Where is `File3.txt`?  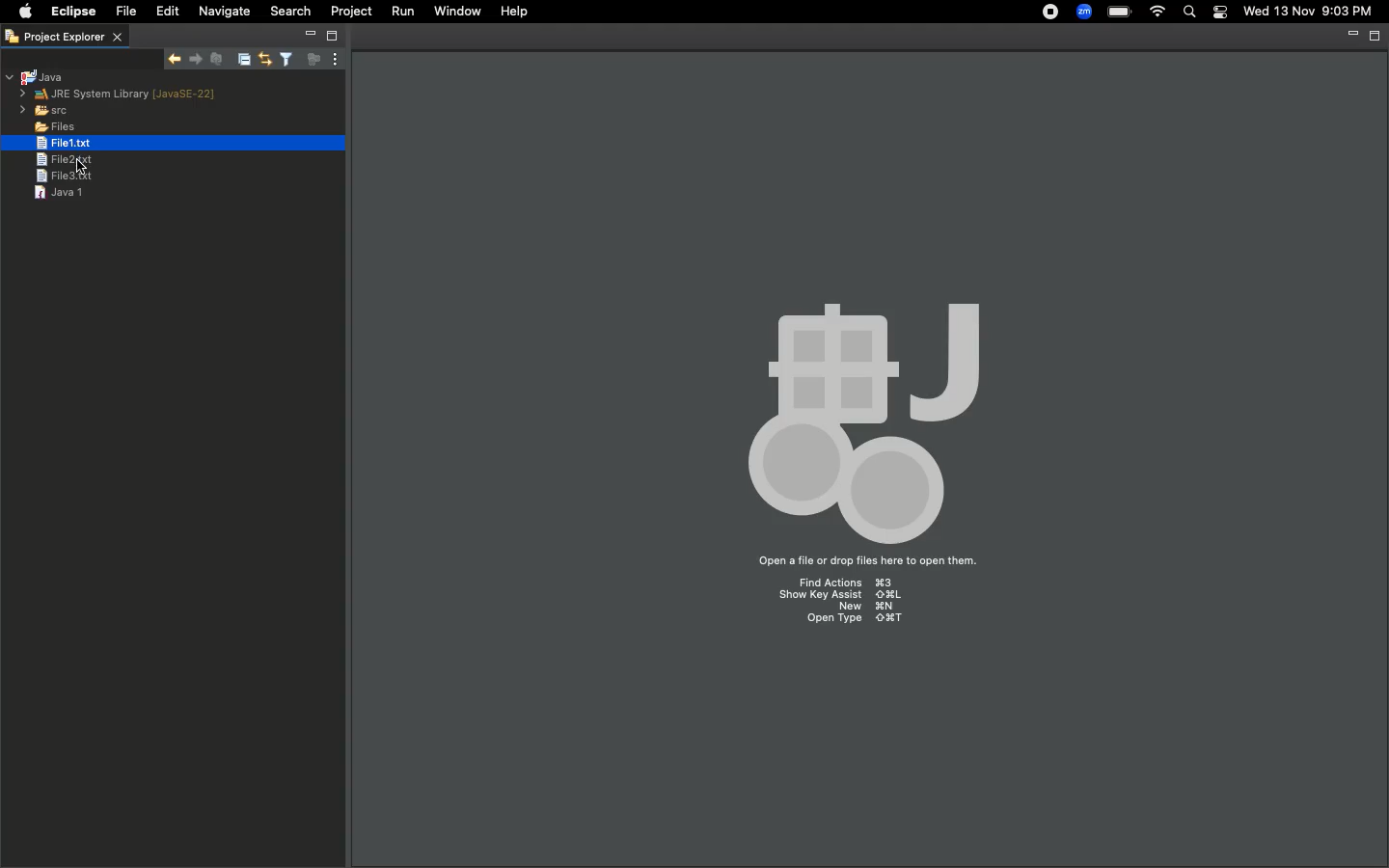 File3.txt is located at coordinates (67, 178).